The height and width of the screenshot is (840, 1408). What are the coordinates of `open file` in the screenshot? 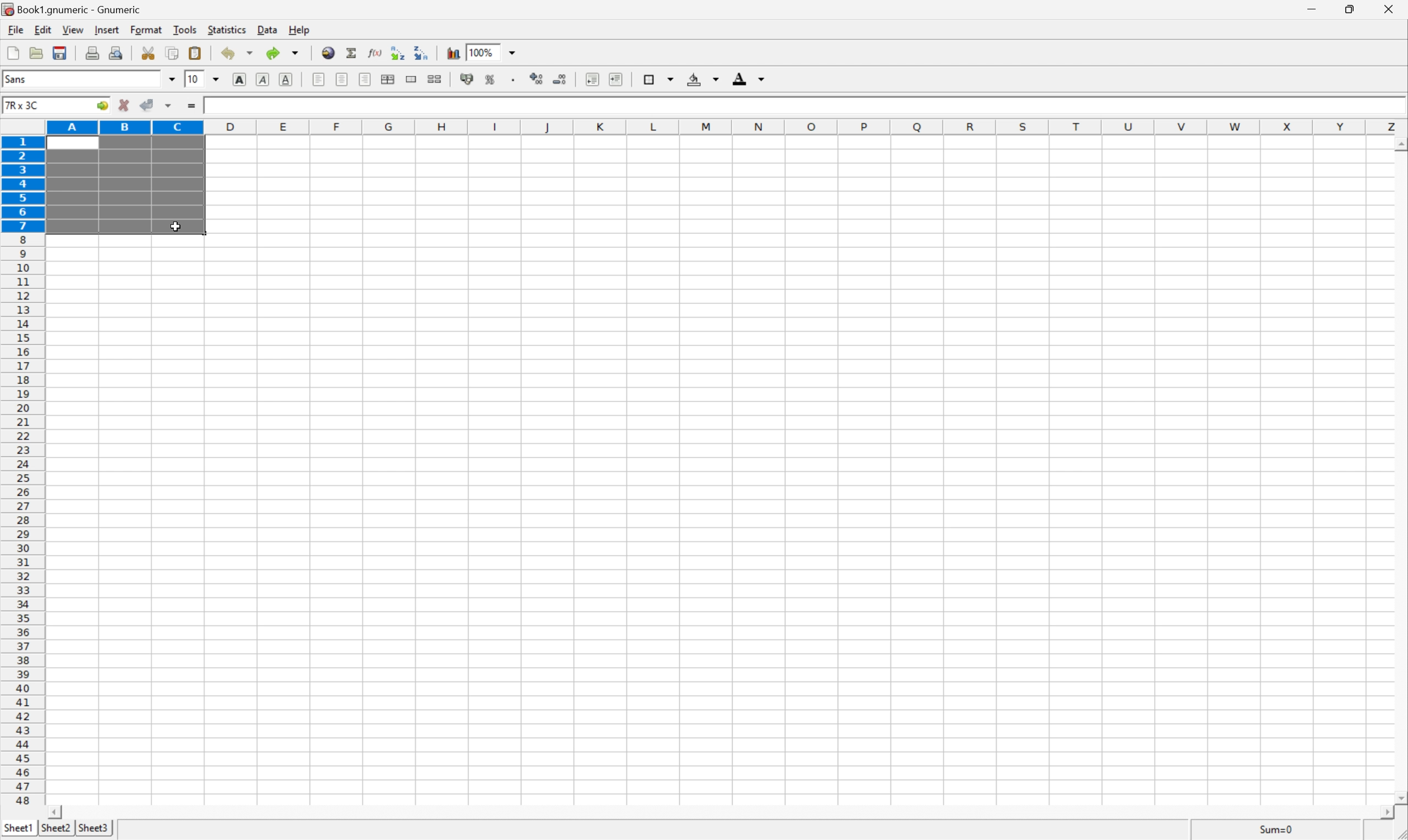 It's located at (38, 51).